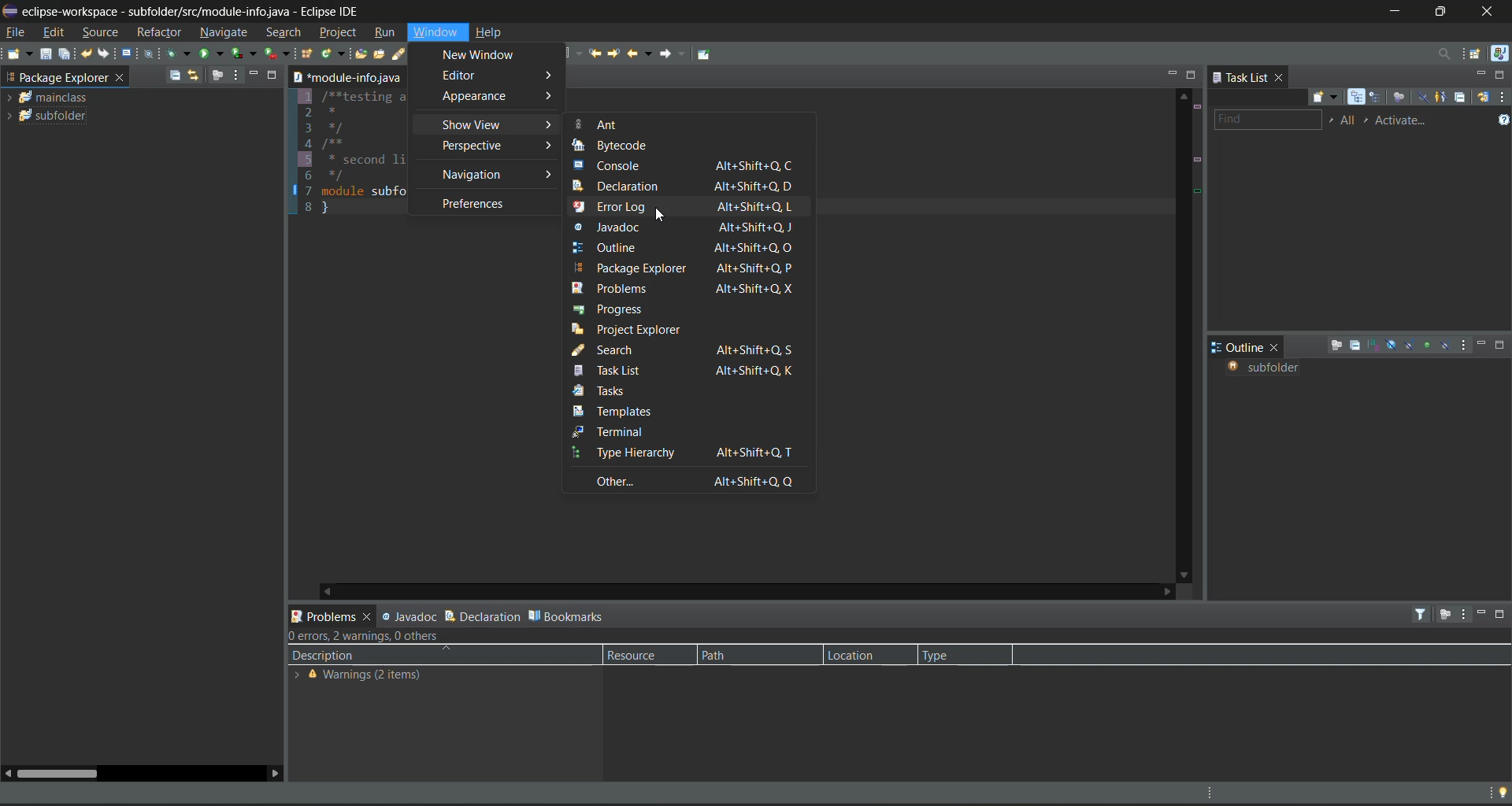 This screenshot has height=806, width=1512. I want to click on maximize, so click(1193, 75).